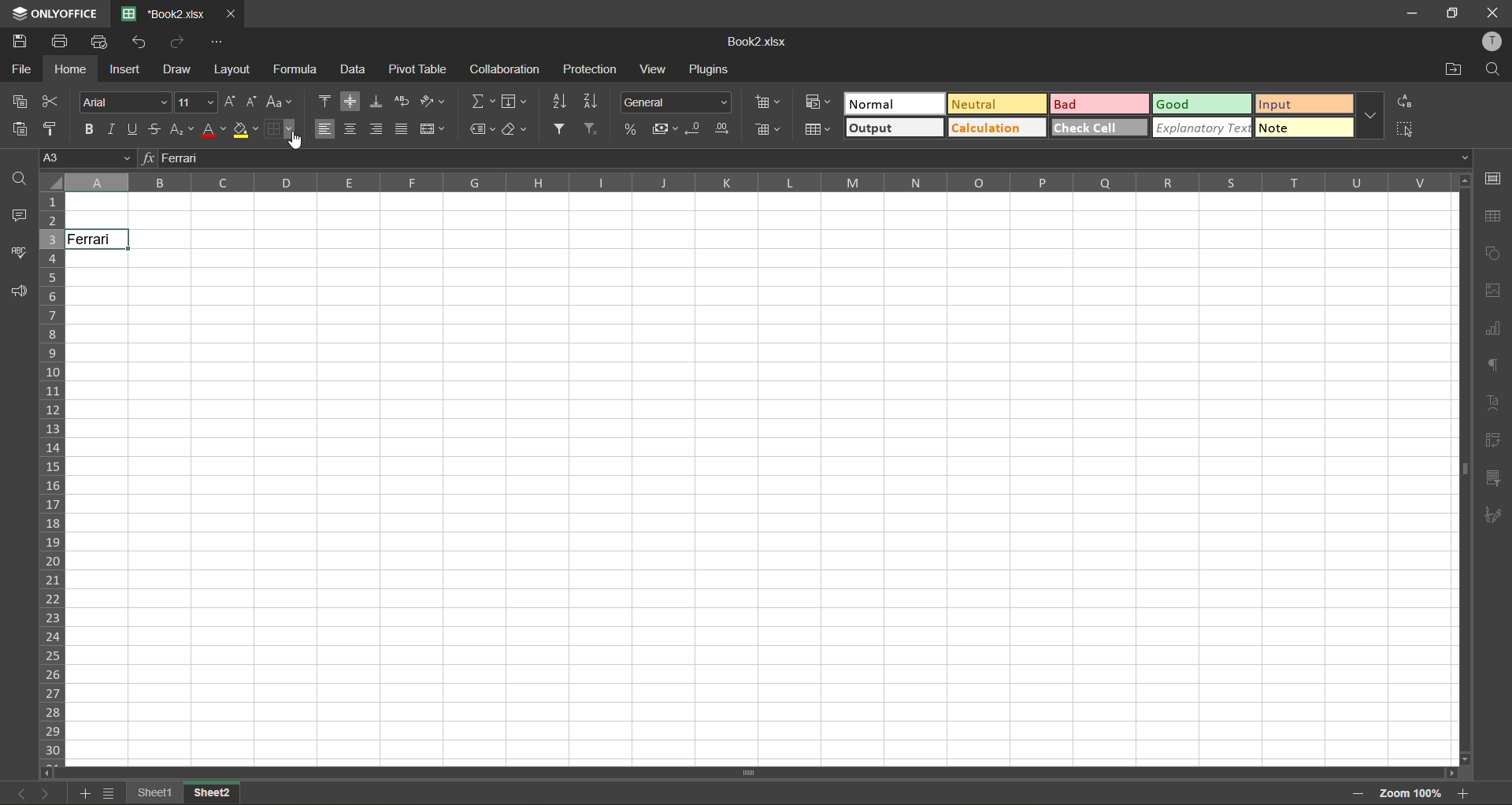  I want to click on redo, so click(177, 41).